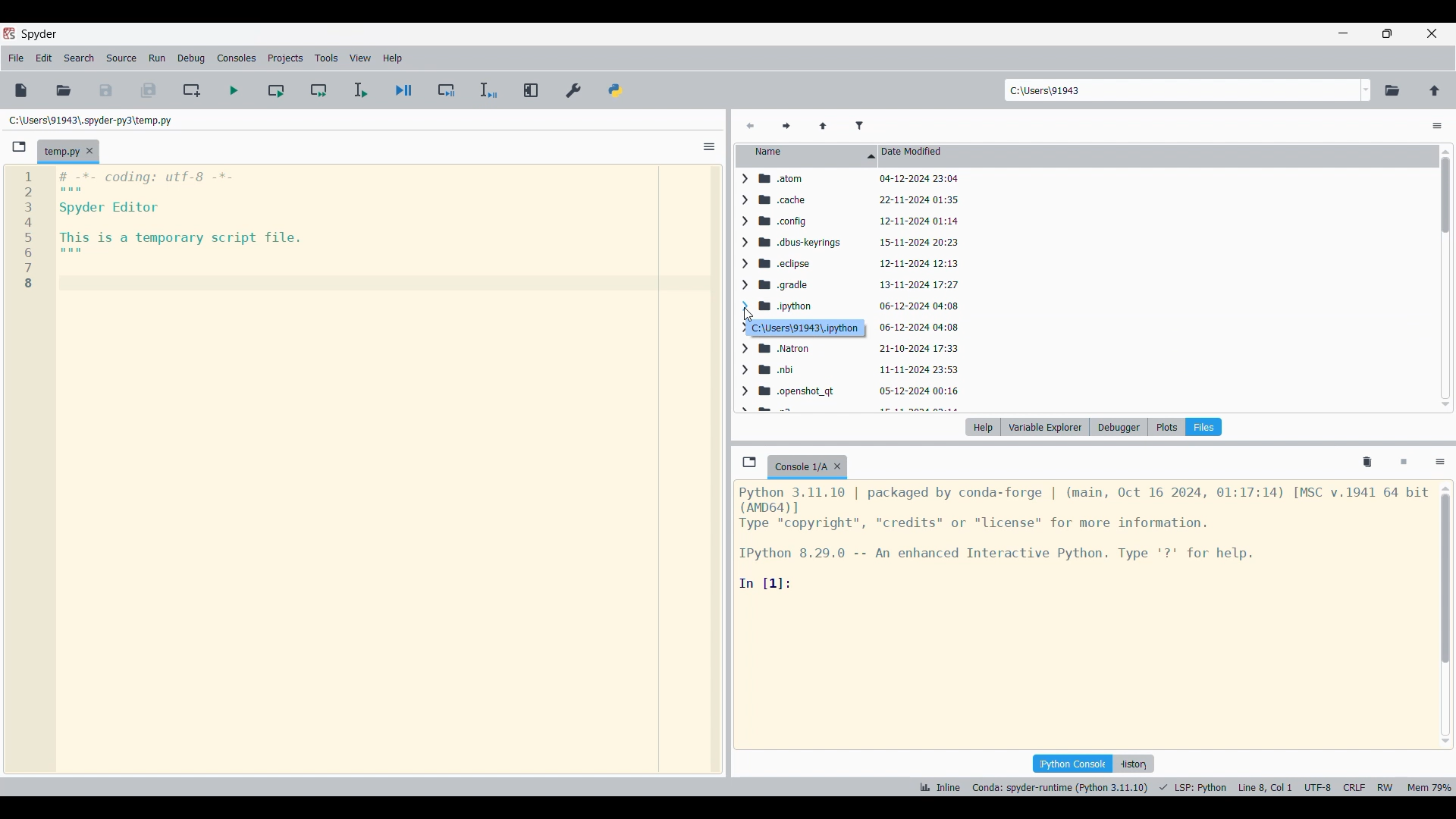  Describe the element at coordinates (360, 90) in the screenshot. I see `Run selection/current line` at that location.